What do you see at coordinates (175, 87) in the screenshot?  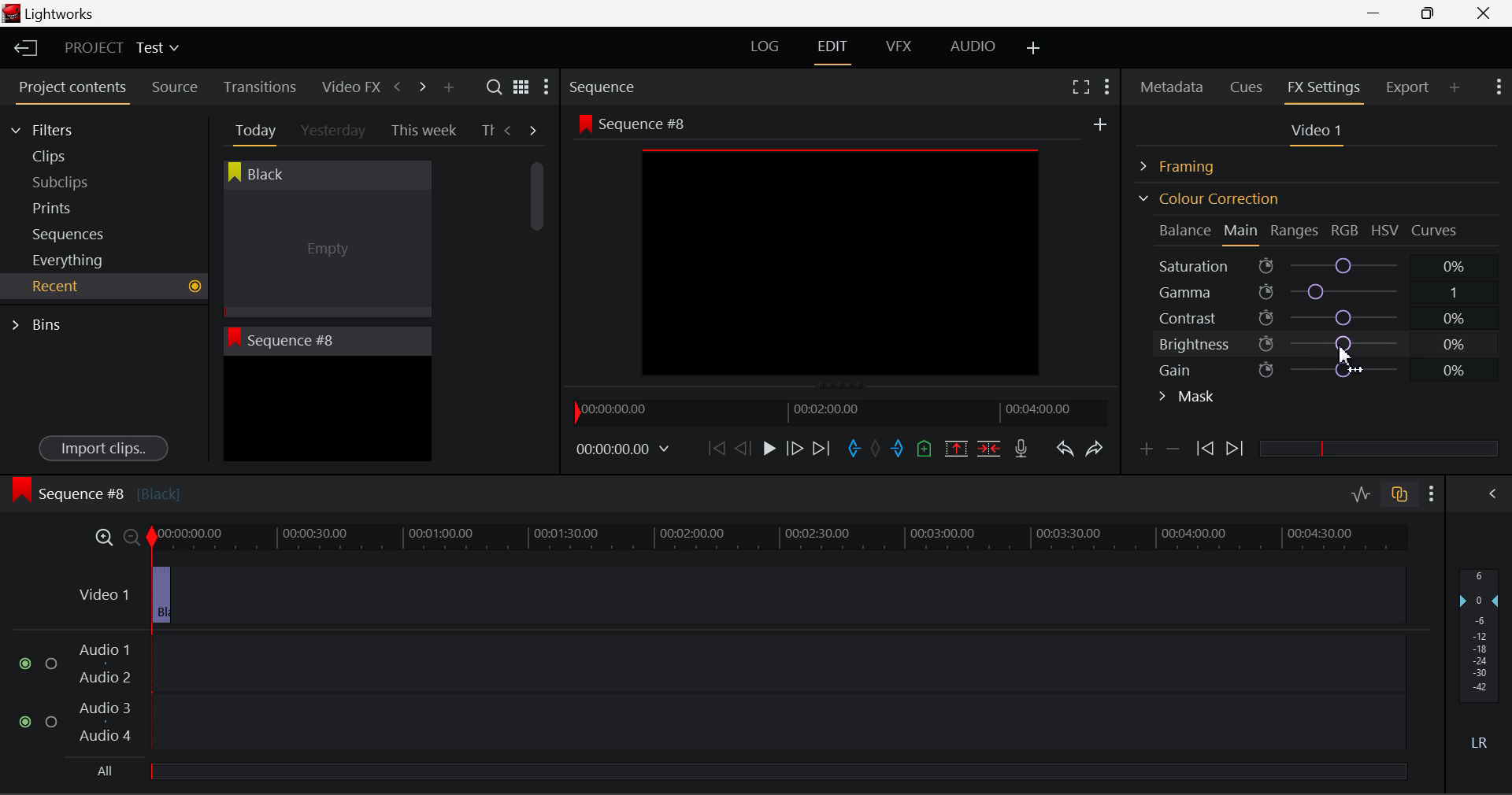 I see `Source` at bounding box center [175, 87].